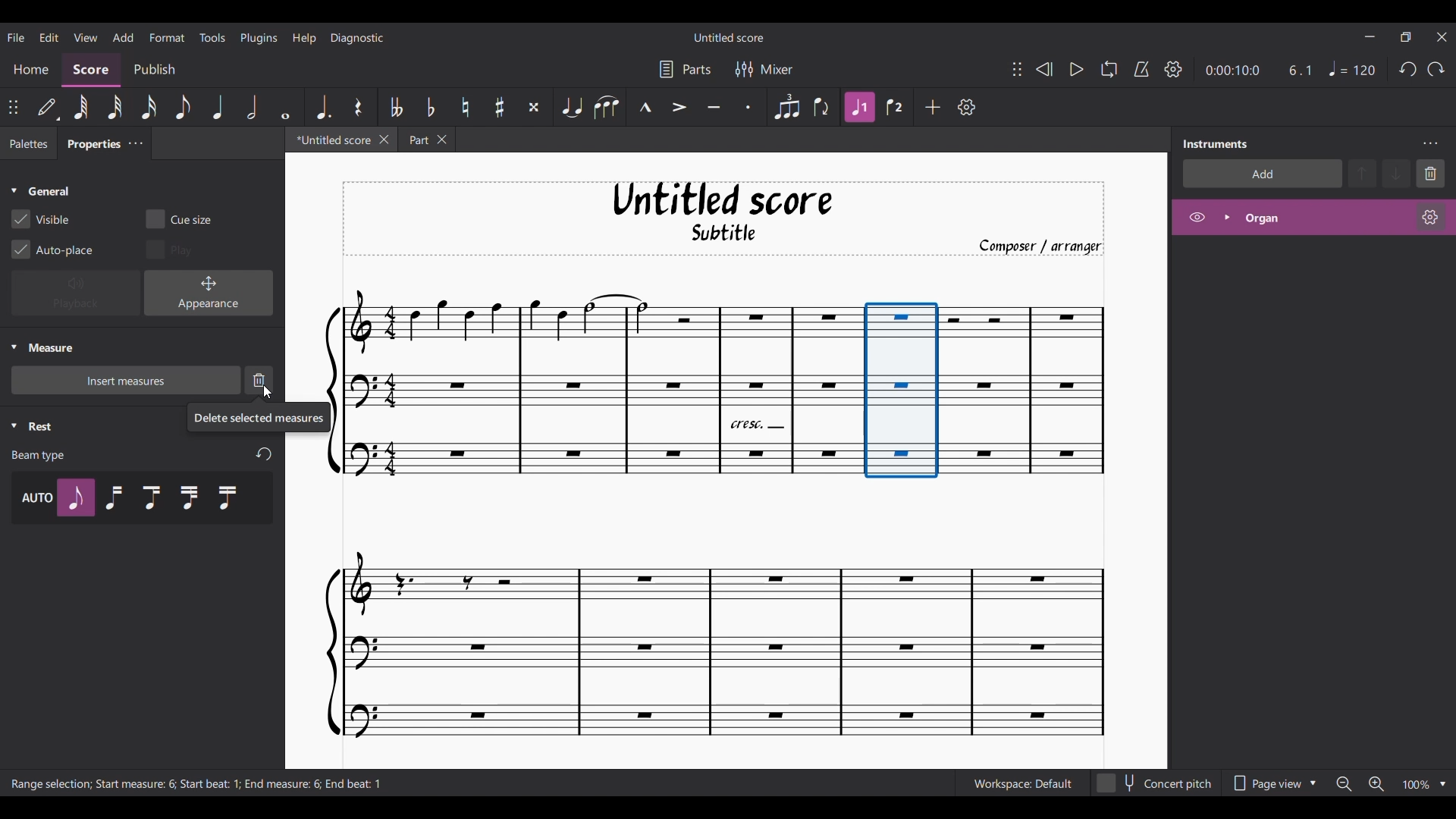 The image size is (1456, 819). What do you see at coordinates (209, 293) in the screenshot?
I see `Appearance` at bounding box center [209, 293].